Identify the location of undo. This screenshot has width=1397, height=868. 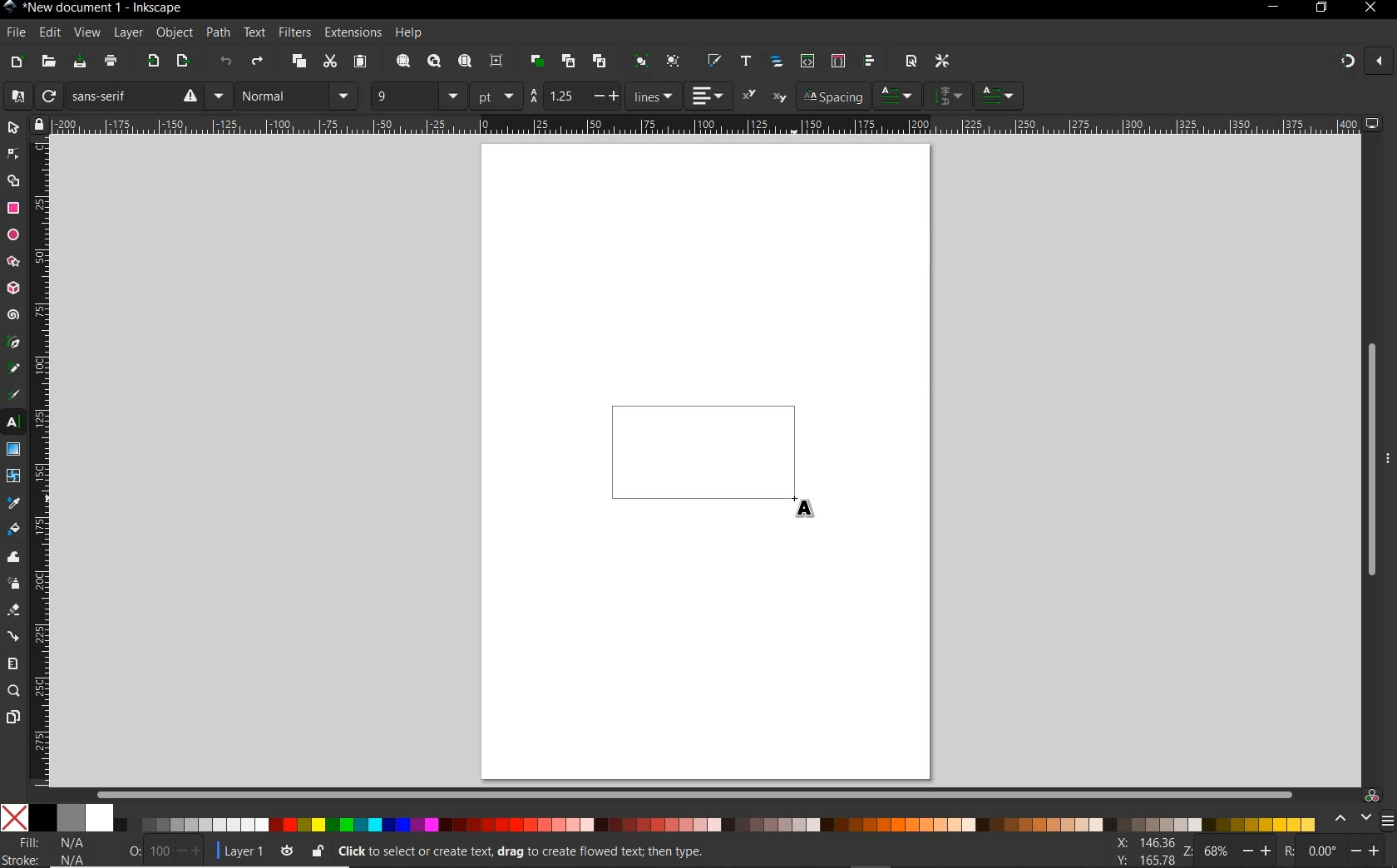
(226, 64).